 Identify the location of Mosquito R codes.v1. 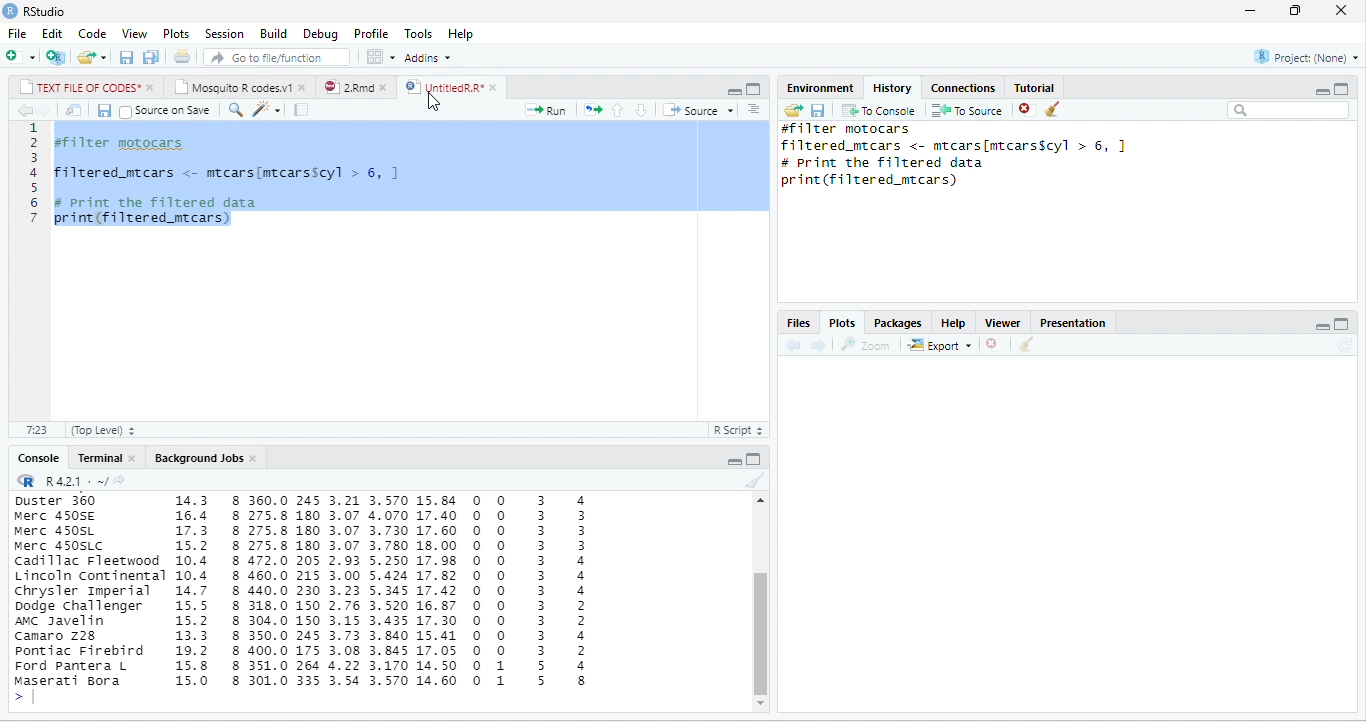
(233, 86).